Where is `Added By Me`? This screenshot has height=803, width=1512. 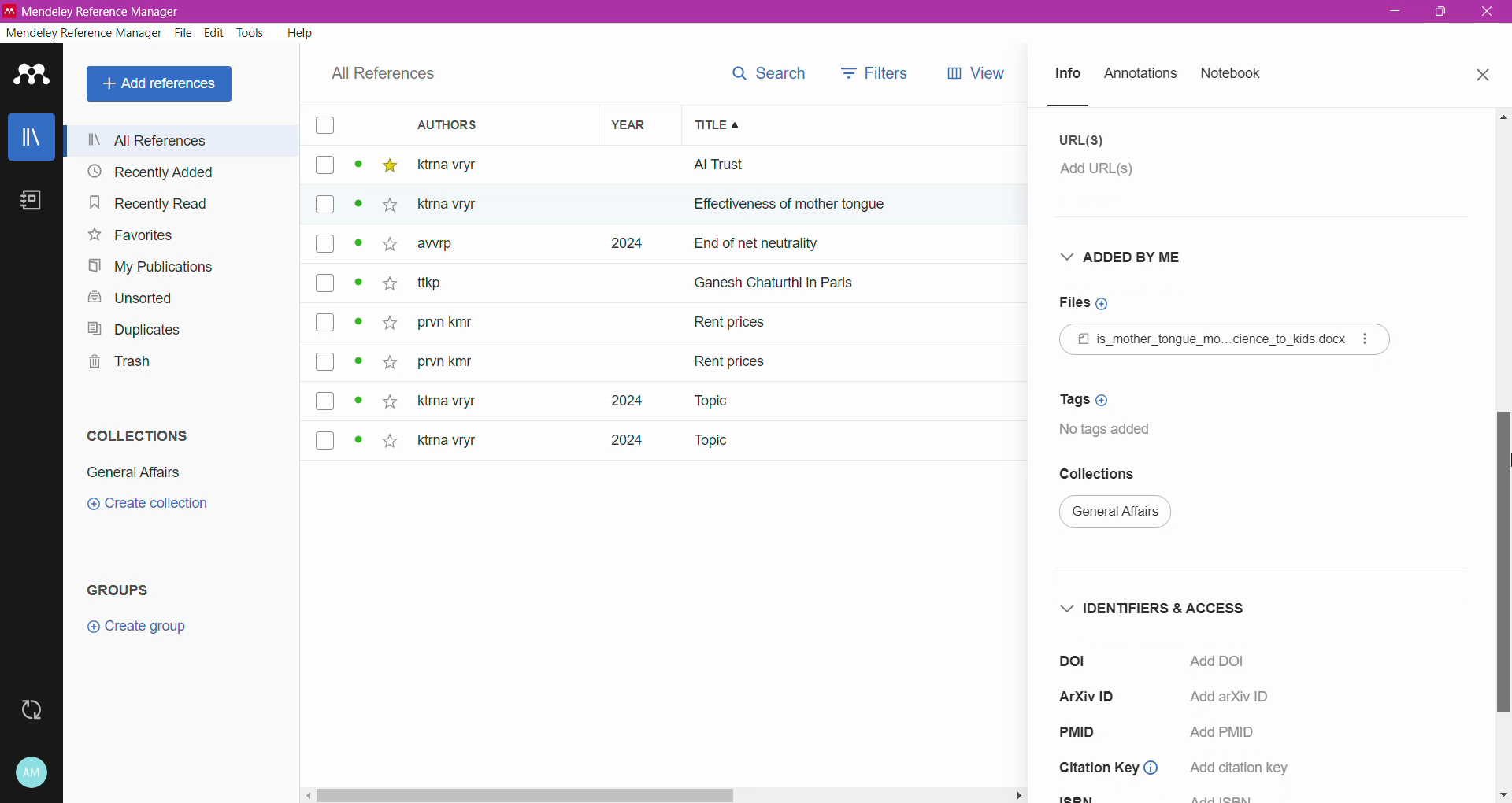
Added By Me is located at coordinates (1132, 257).